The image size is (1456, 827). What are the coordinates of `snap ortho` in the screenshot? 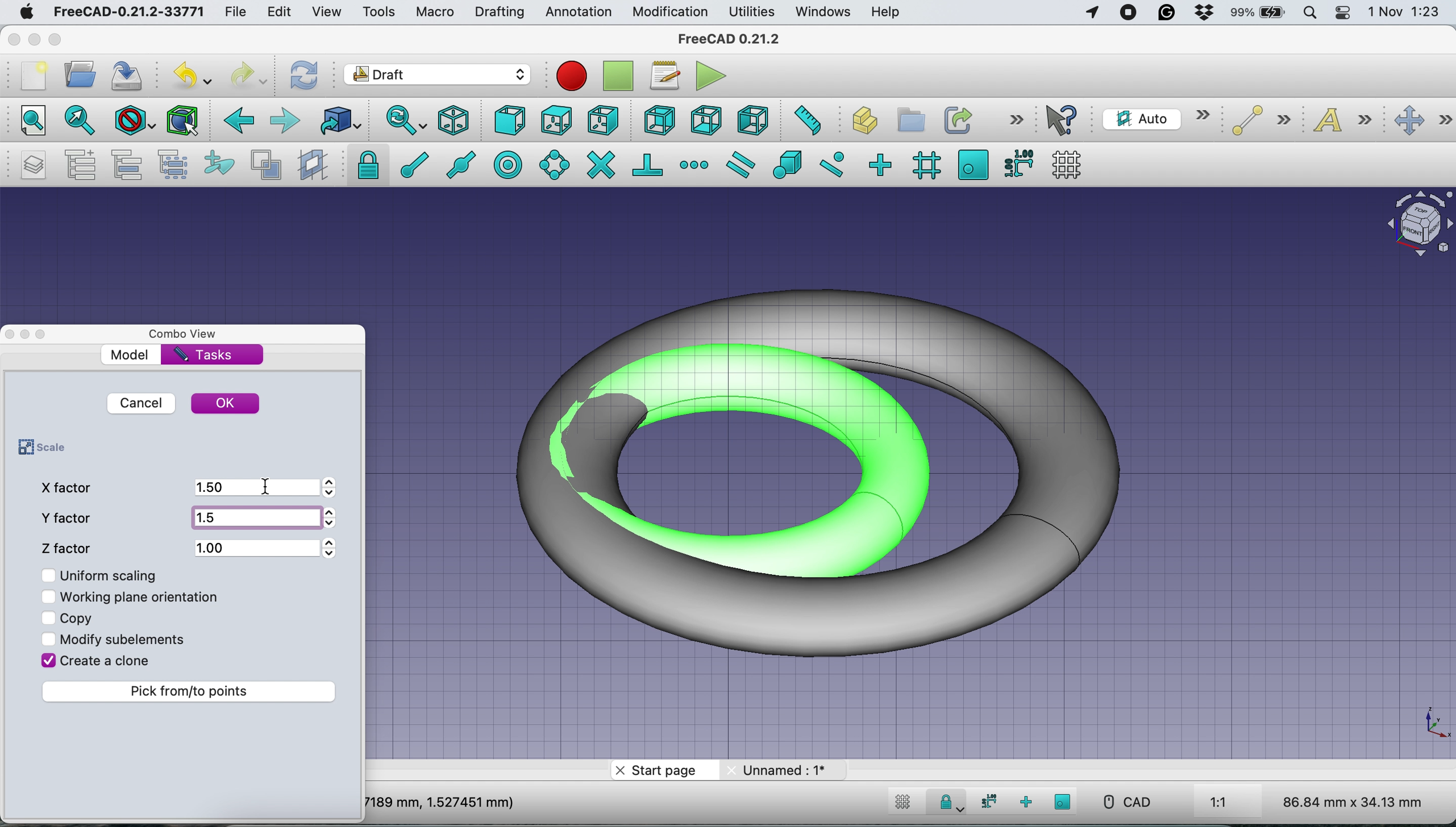 It's located at (883, 164).